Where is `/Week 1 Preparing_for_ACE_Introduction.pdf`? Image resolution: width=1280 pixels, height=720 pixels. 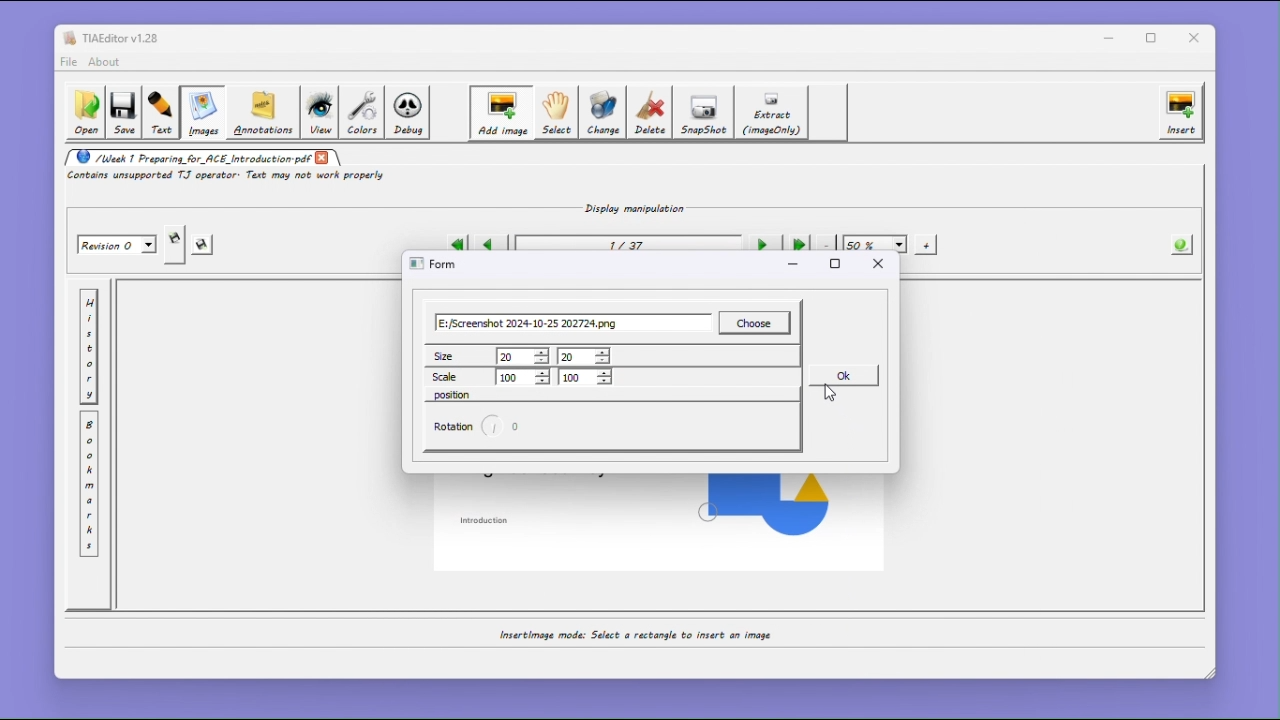
/Week 1 Preparing_for_ACE_Introduction.pdf is located at coordinates (188, 157).